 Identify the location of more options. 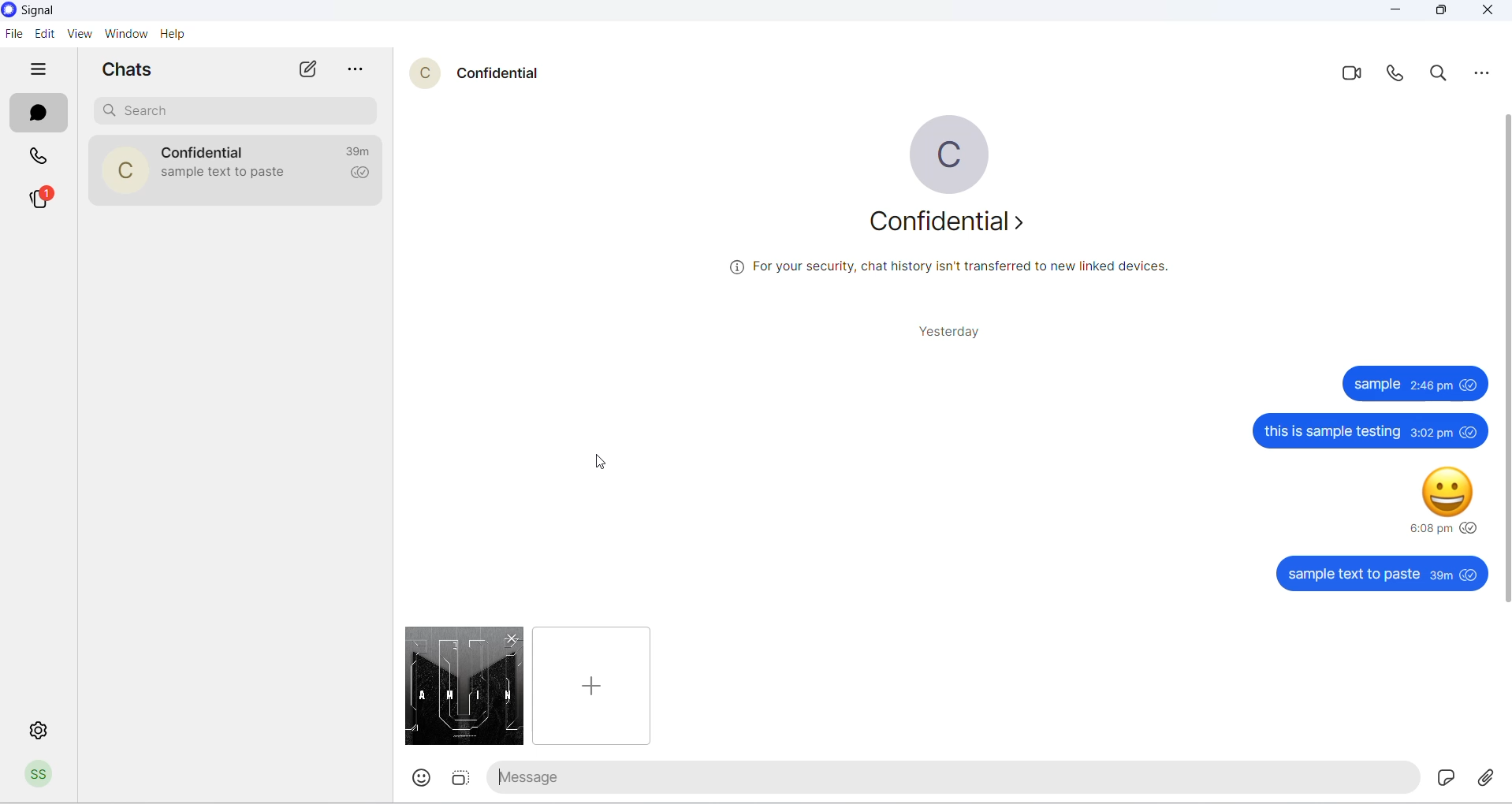
(1483, 78).